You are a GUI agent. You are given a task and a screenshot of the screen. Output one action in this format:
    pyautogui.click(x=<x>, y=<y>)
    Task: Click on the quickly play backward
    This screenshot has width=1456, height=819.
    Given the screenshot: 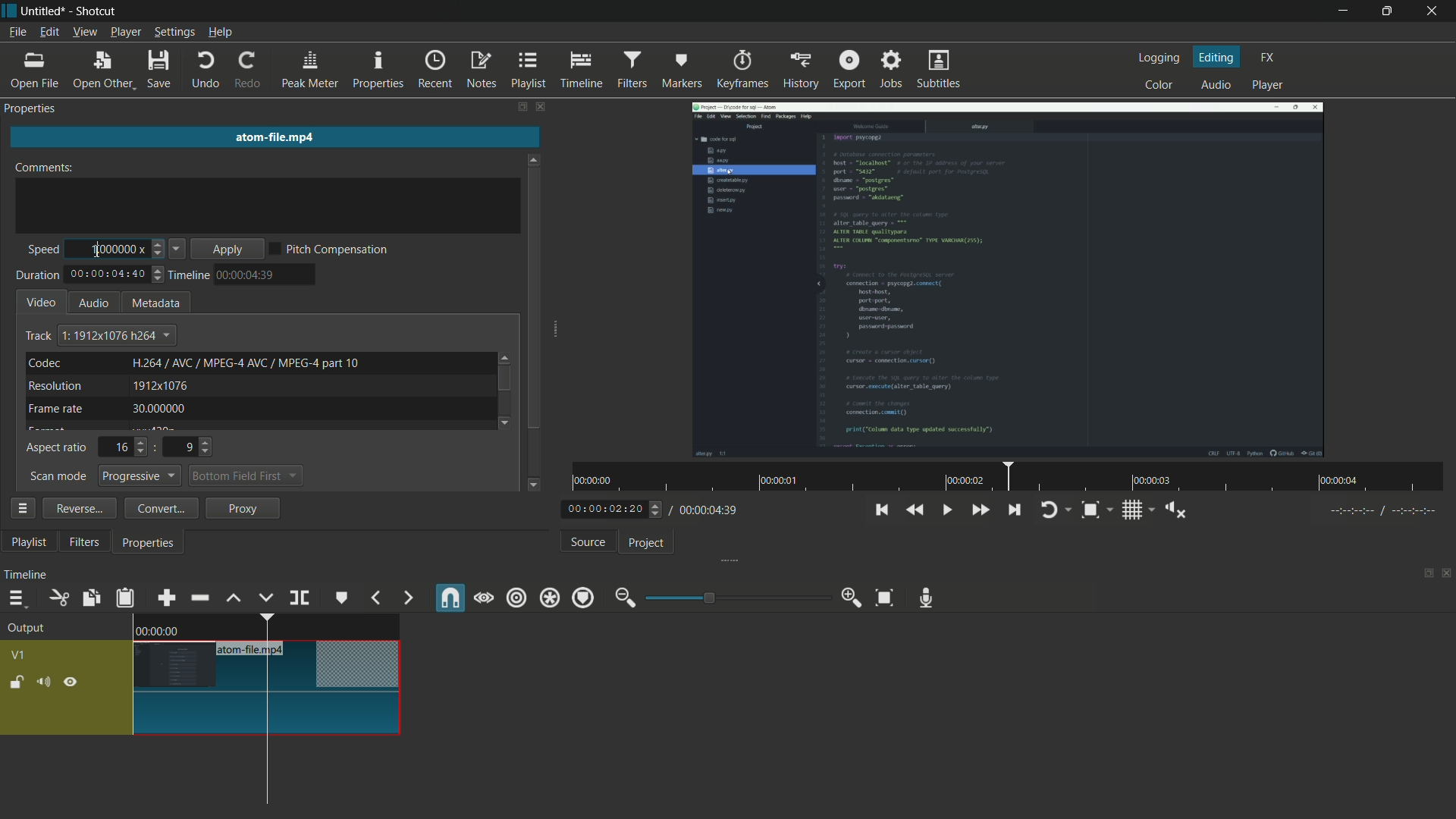 What is the action you would take?
    pyautogui.click(x=915, y=510)
    